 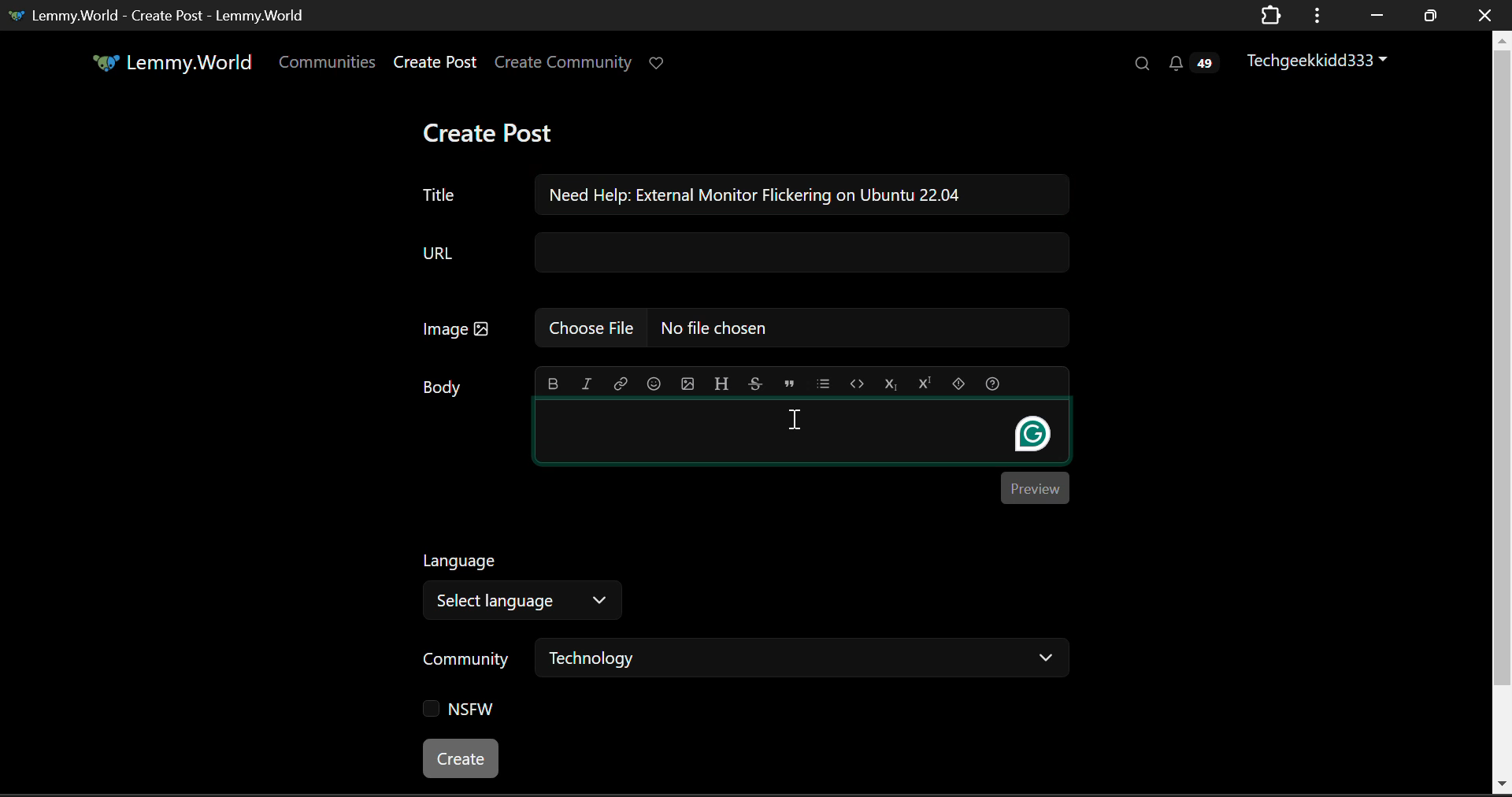 What do you see at coordinates (563, 61) in the screenshot?
I see `Create Community Page Link` at bounding box center [563, 61].